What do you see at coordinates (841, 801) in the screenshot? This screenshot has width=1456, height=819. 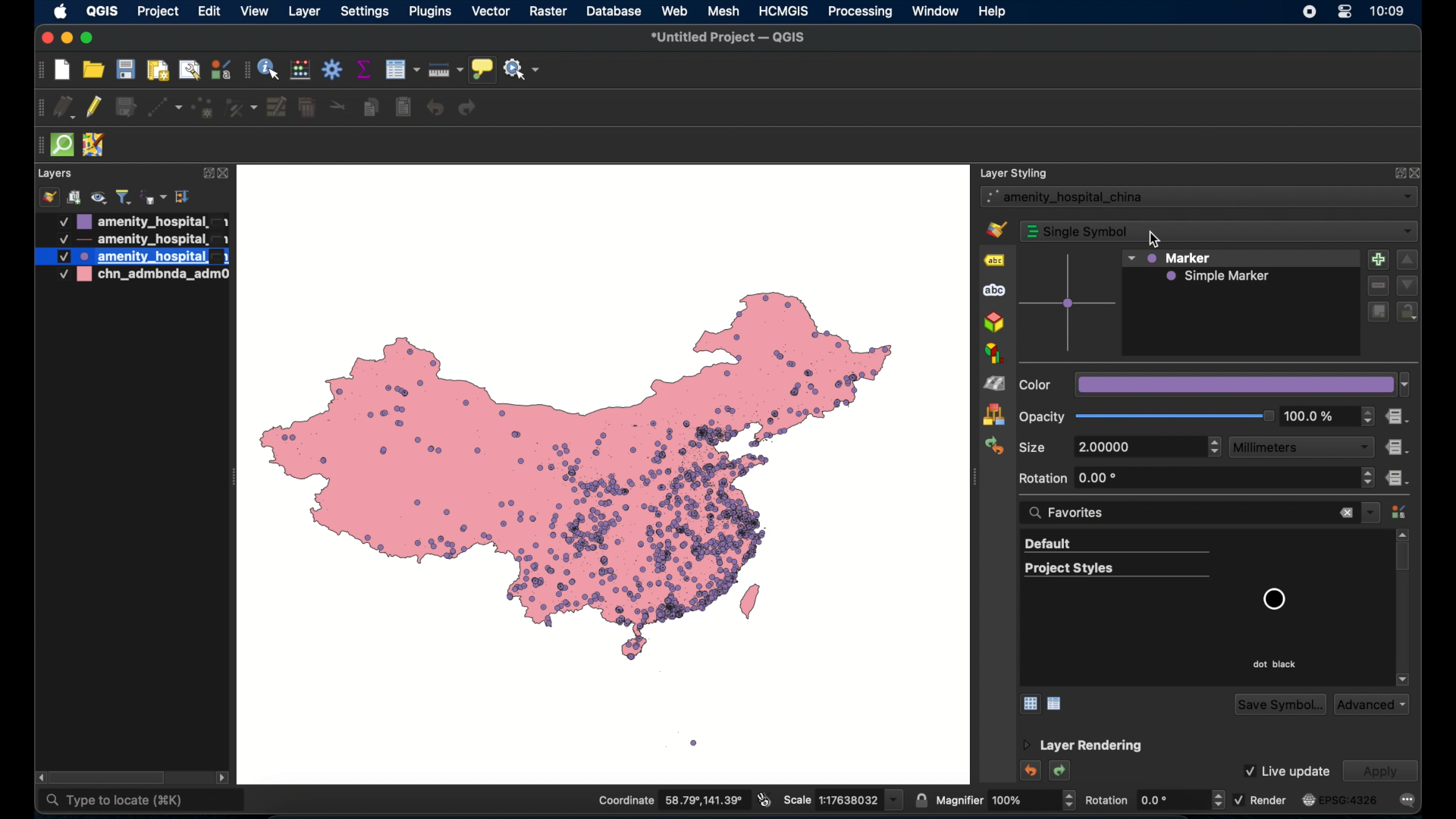 I see `scale` at bounding box center [841, 801].